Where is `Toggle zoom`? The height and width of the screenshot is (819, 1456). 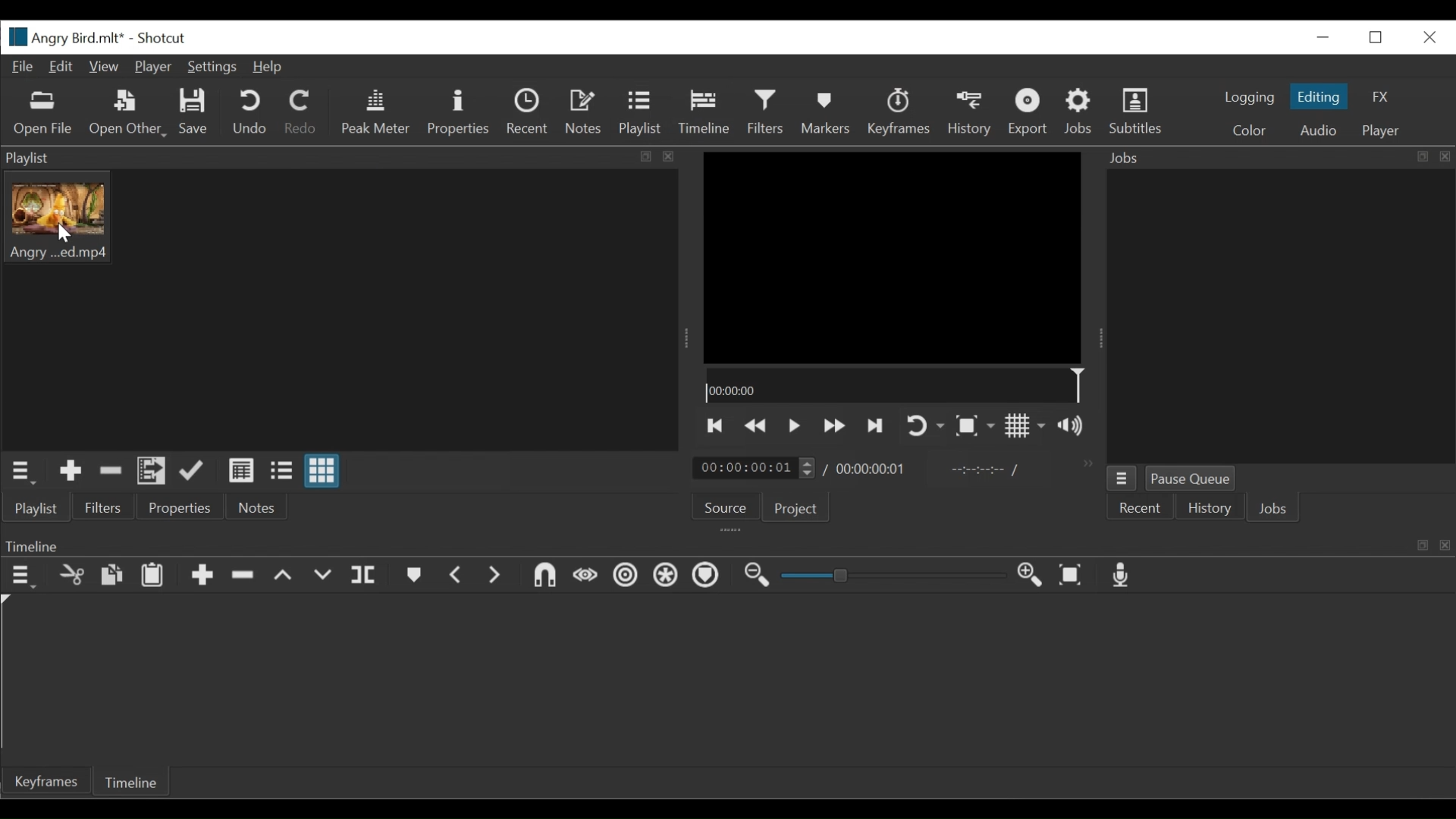 Toggle zoom is located at coordinates (974, 425).